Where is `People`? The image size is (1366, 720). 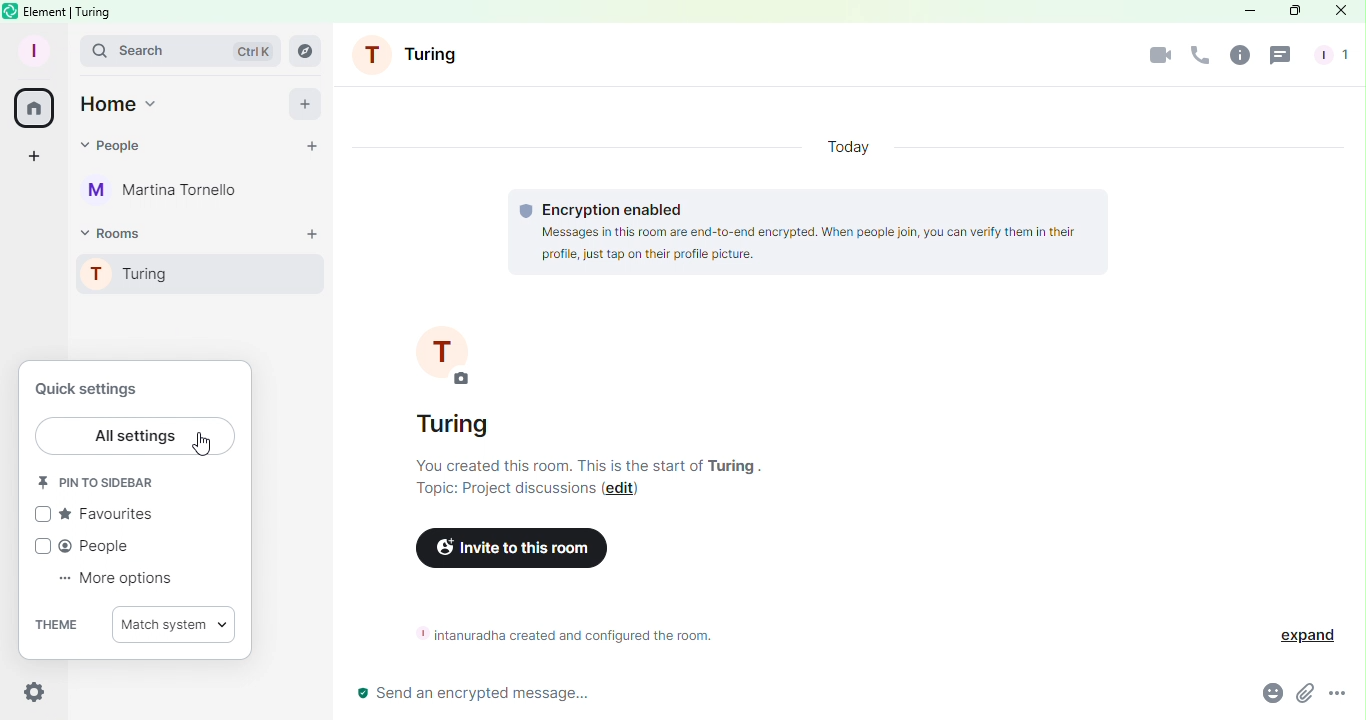
People is located at coordinates (1329, 57).